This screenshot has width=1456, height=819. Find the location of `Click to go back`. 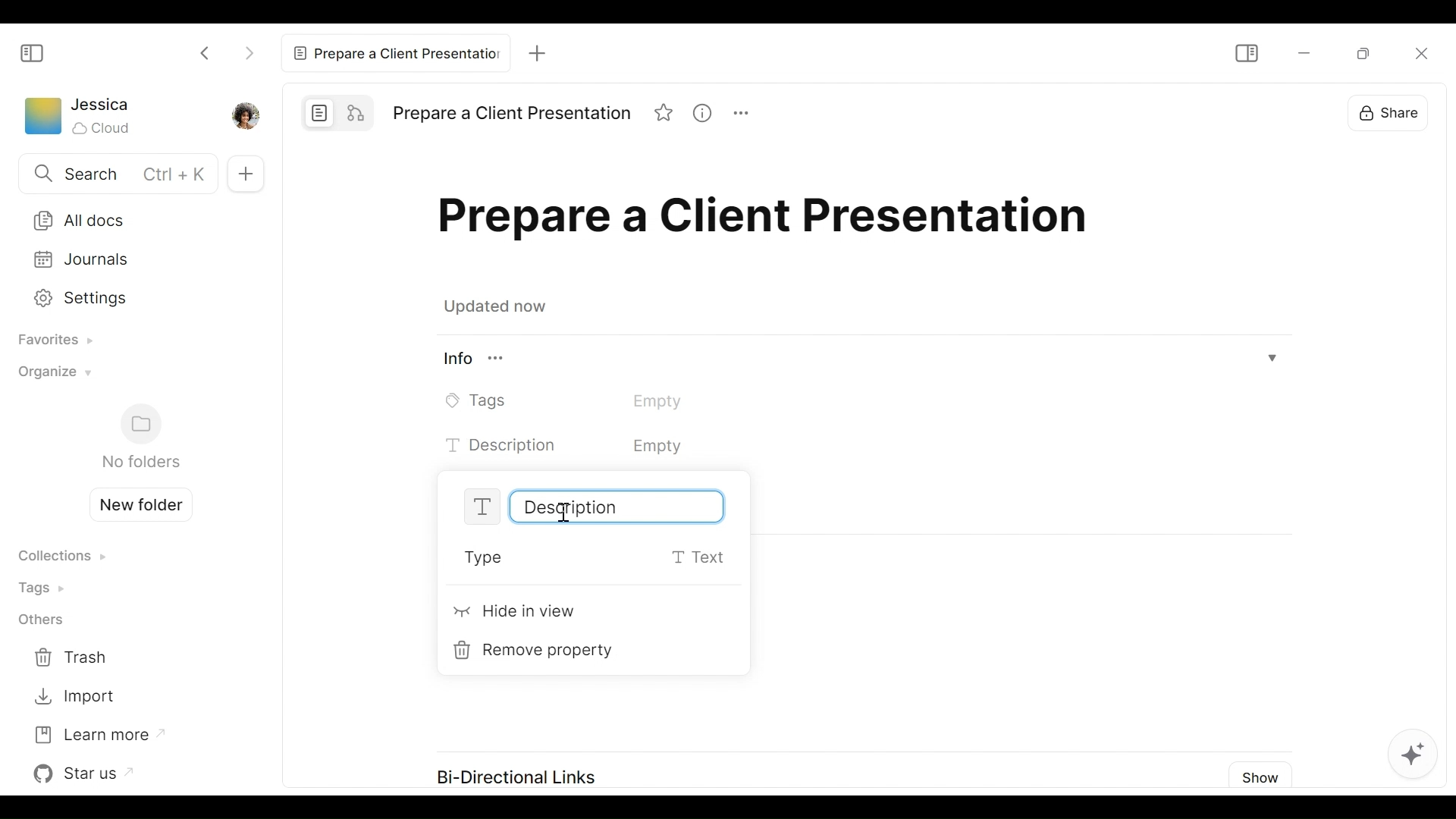

Click to go back is located at coordinates (206, 52).